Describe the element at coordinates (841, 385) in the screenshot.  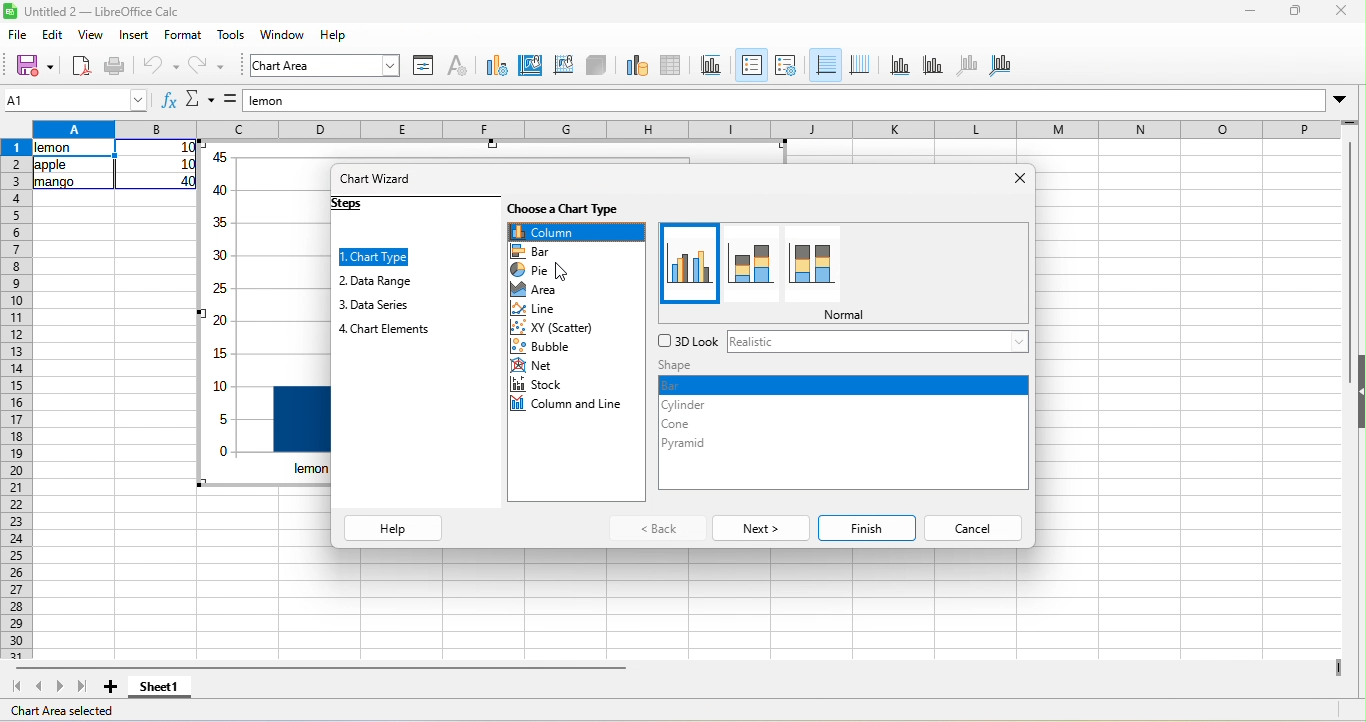
I see `bar` at that location.